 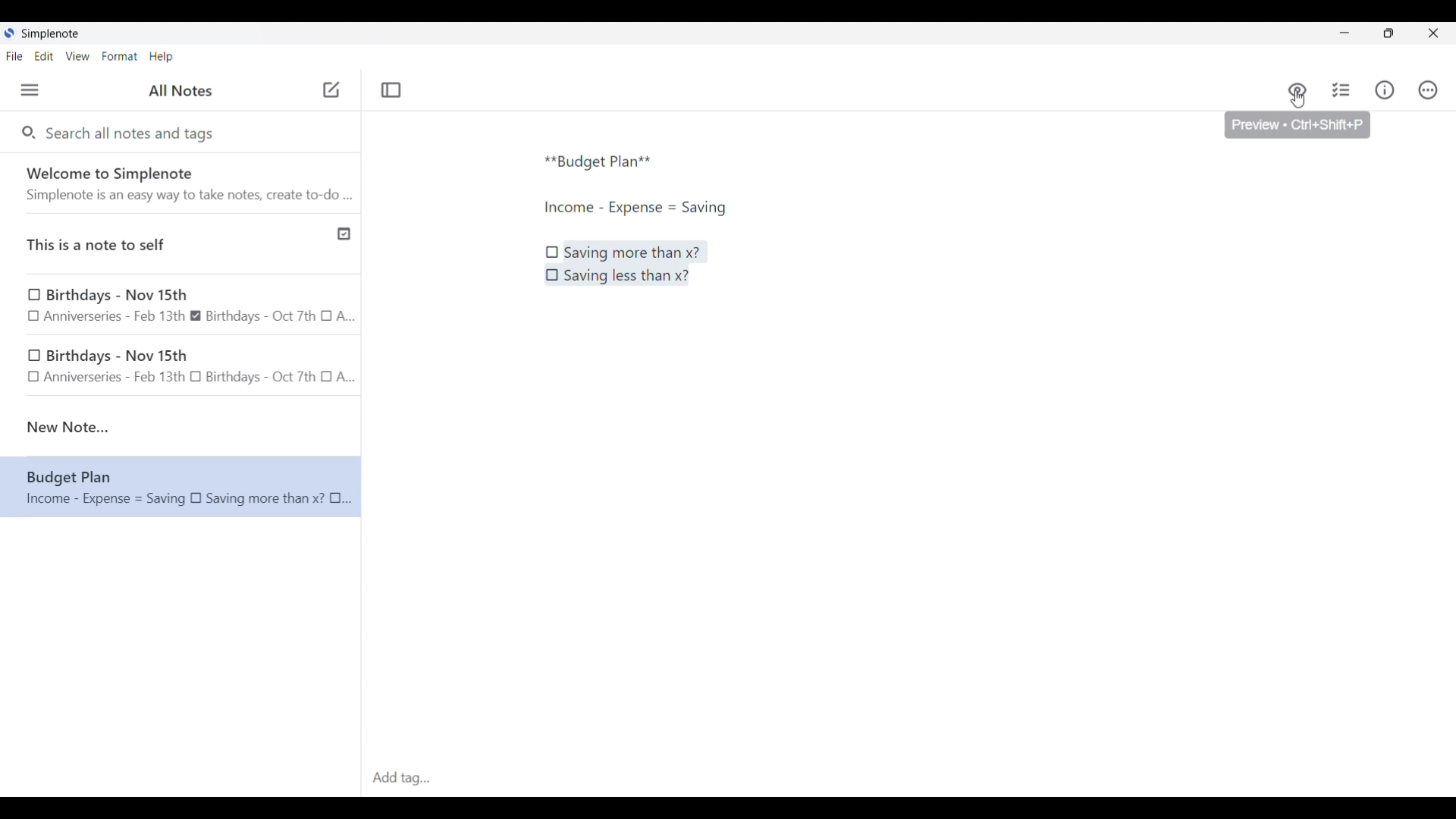 What do you see at coordinates (133, 132) in the screenshot?
I see `Search all notes and tags` at bounding box center [133, 132].